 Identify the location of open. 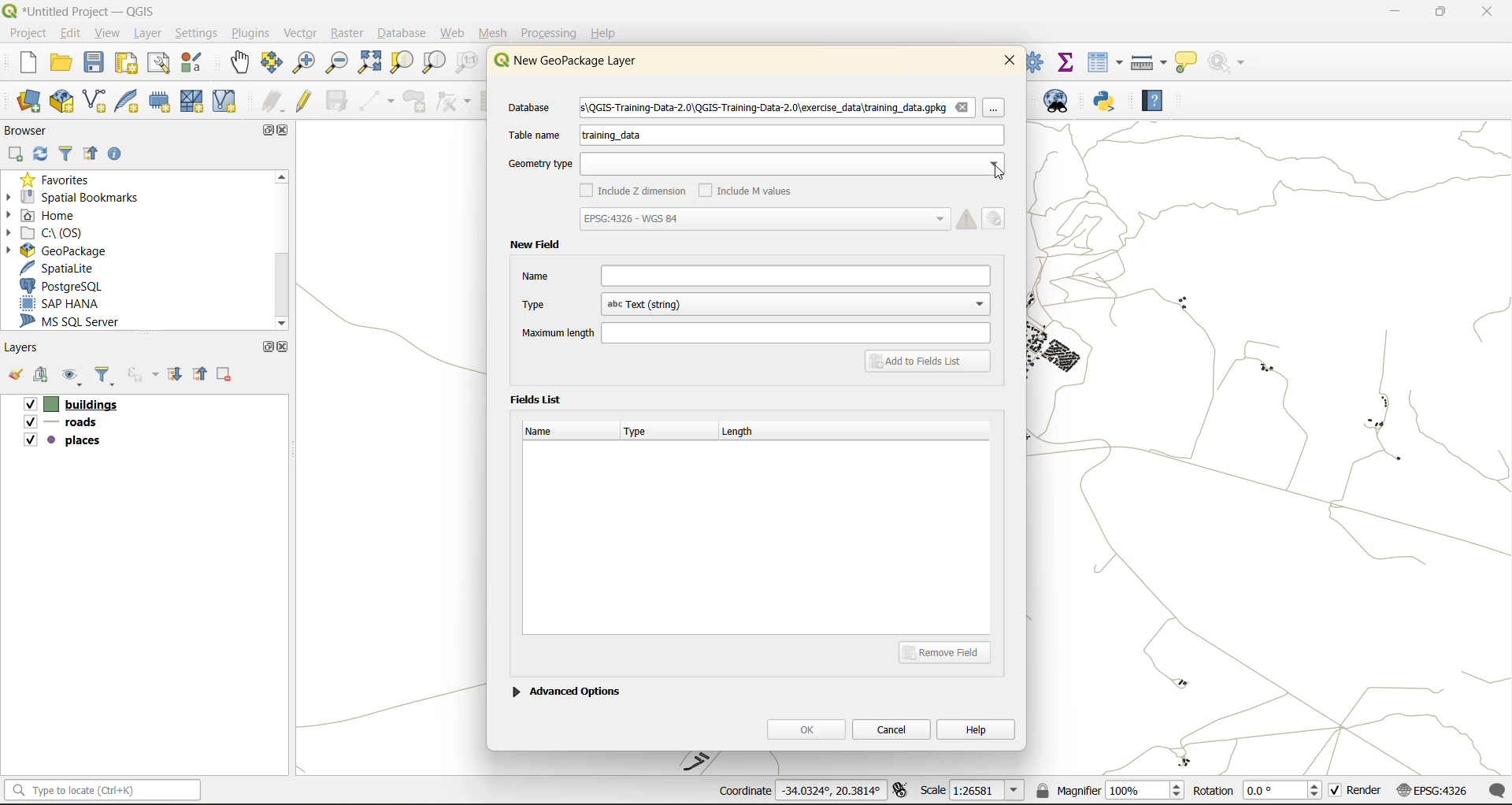
(62, 65).